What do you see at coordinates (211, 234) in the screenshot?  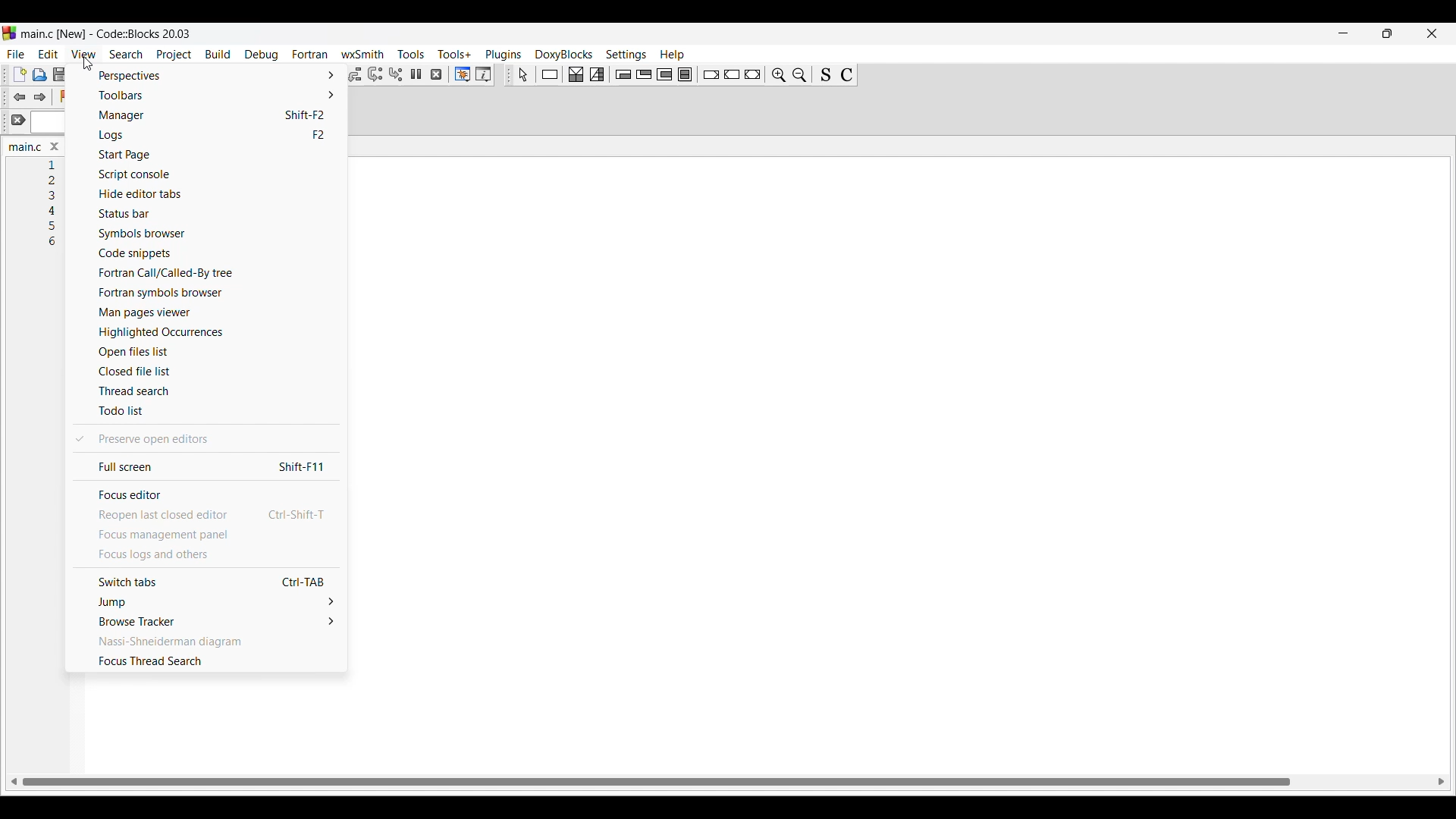 I see `Symbols browser` at bounding box center [211, 234].